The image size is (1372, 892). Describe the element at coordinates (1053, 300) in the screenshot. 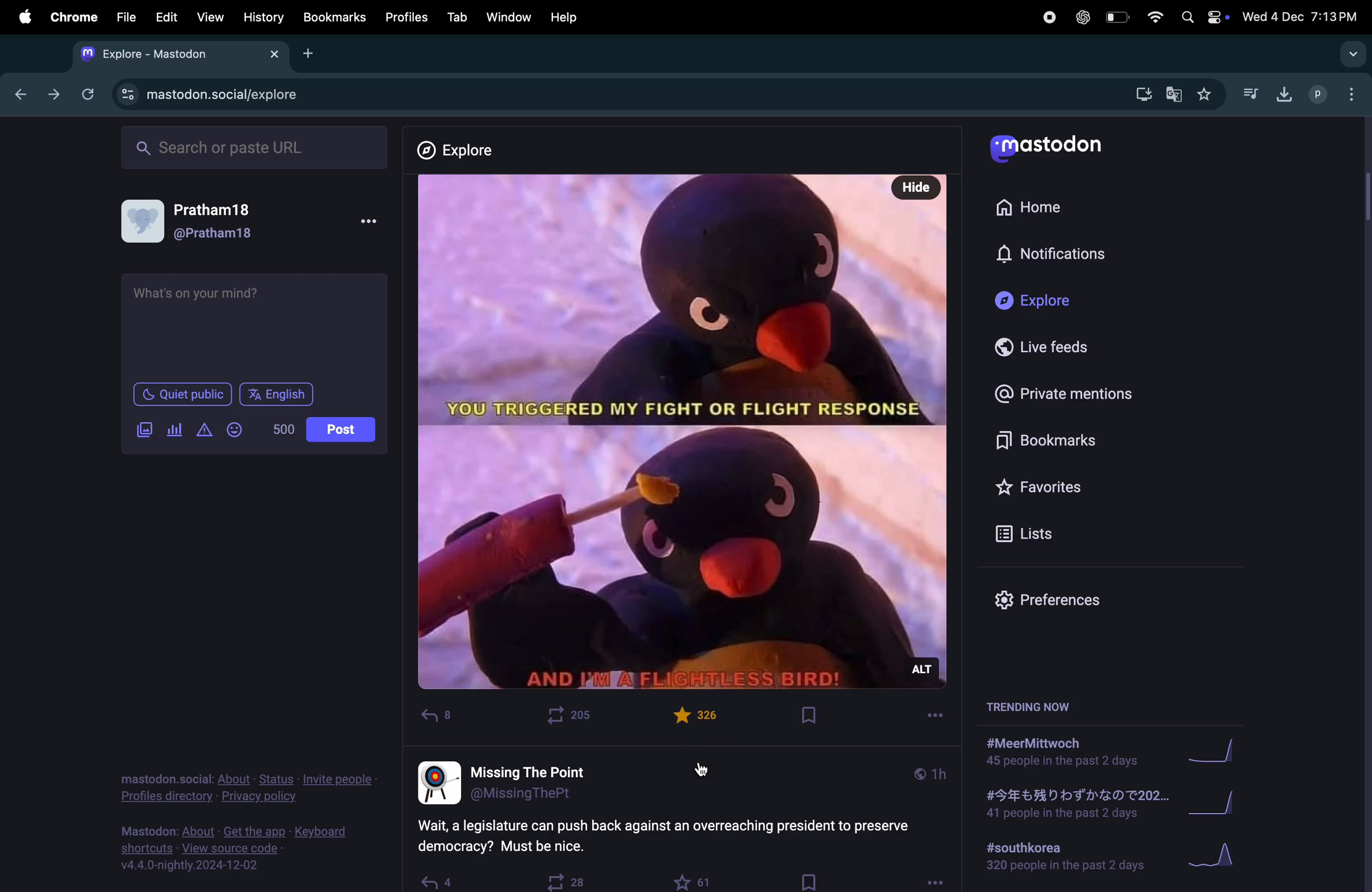

I see `explore` at that location.